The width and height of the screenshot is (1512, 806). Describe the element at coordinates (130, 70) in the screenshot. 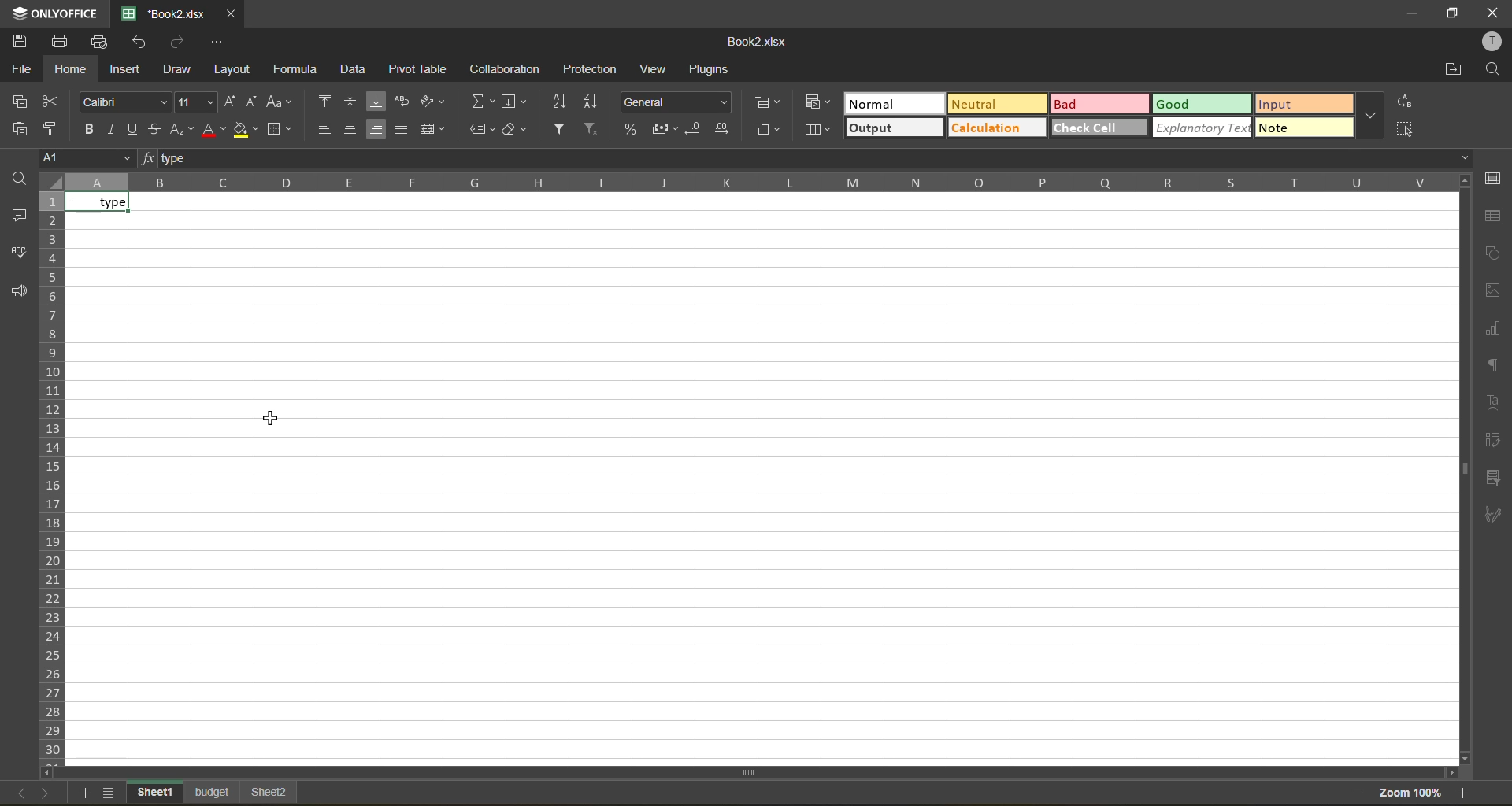

I see `insert` at that location.